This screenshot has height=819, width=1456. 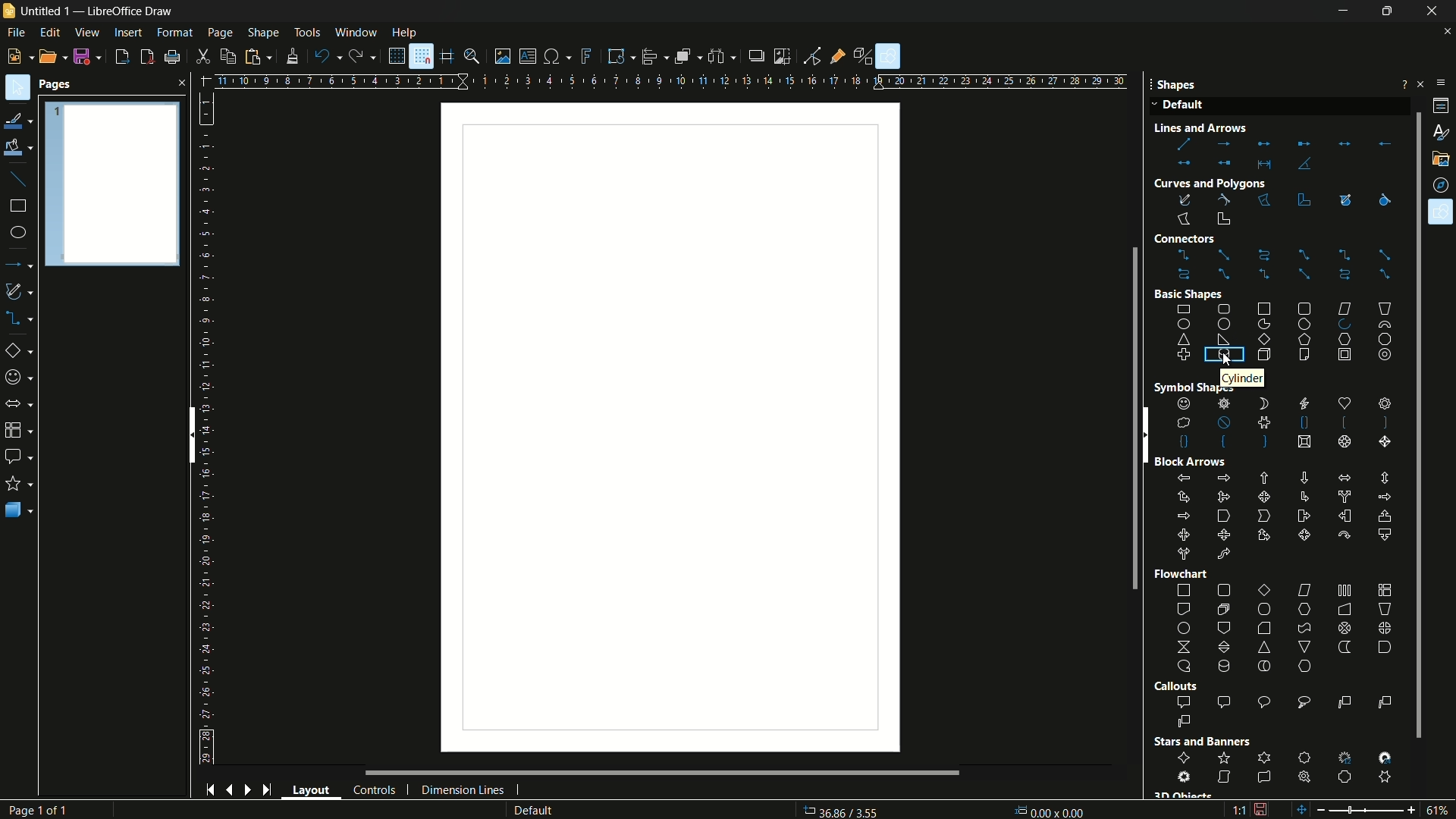 I want to click on close document, so click(x=1447, y=33).